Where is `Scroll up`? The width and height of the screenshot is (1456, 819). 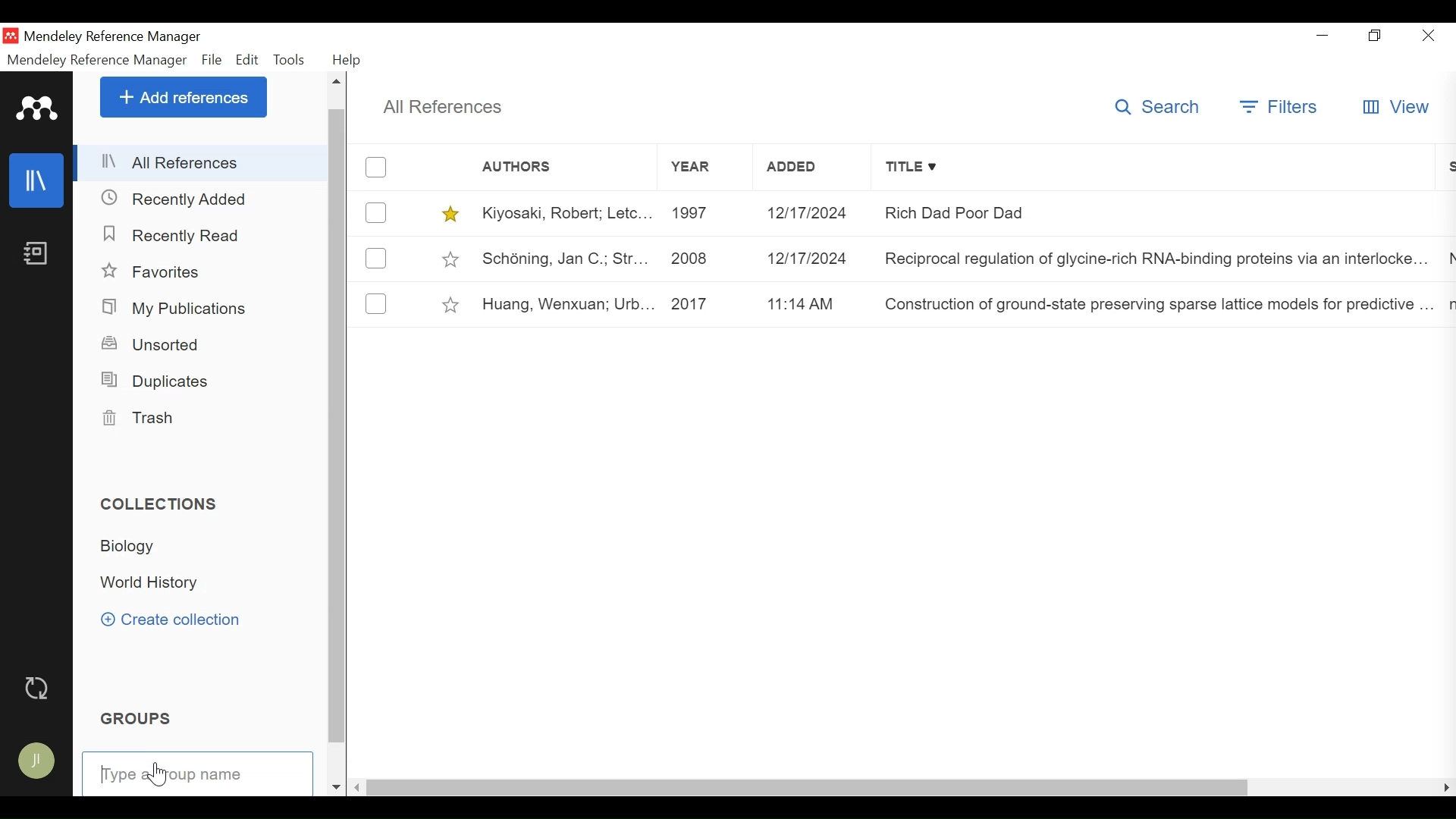
Scroll up is located at coordinates (338, 81).